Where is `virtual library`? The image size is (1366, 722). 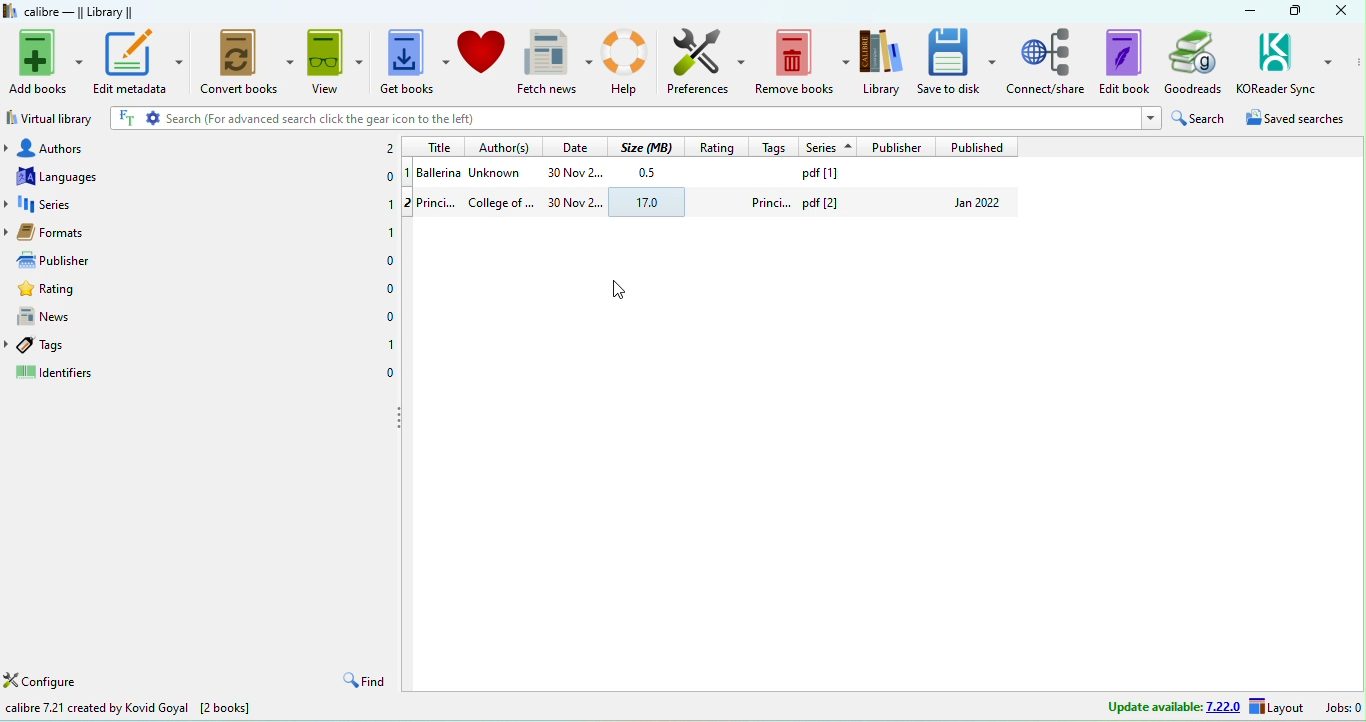 virtual library is located at coordinates (50, 117).